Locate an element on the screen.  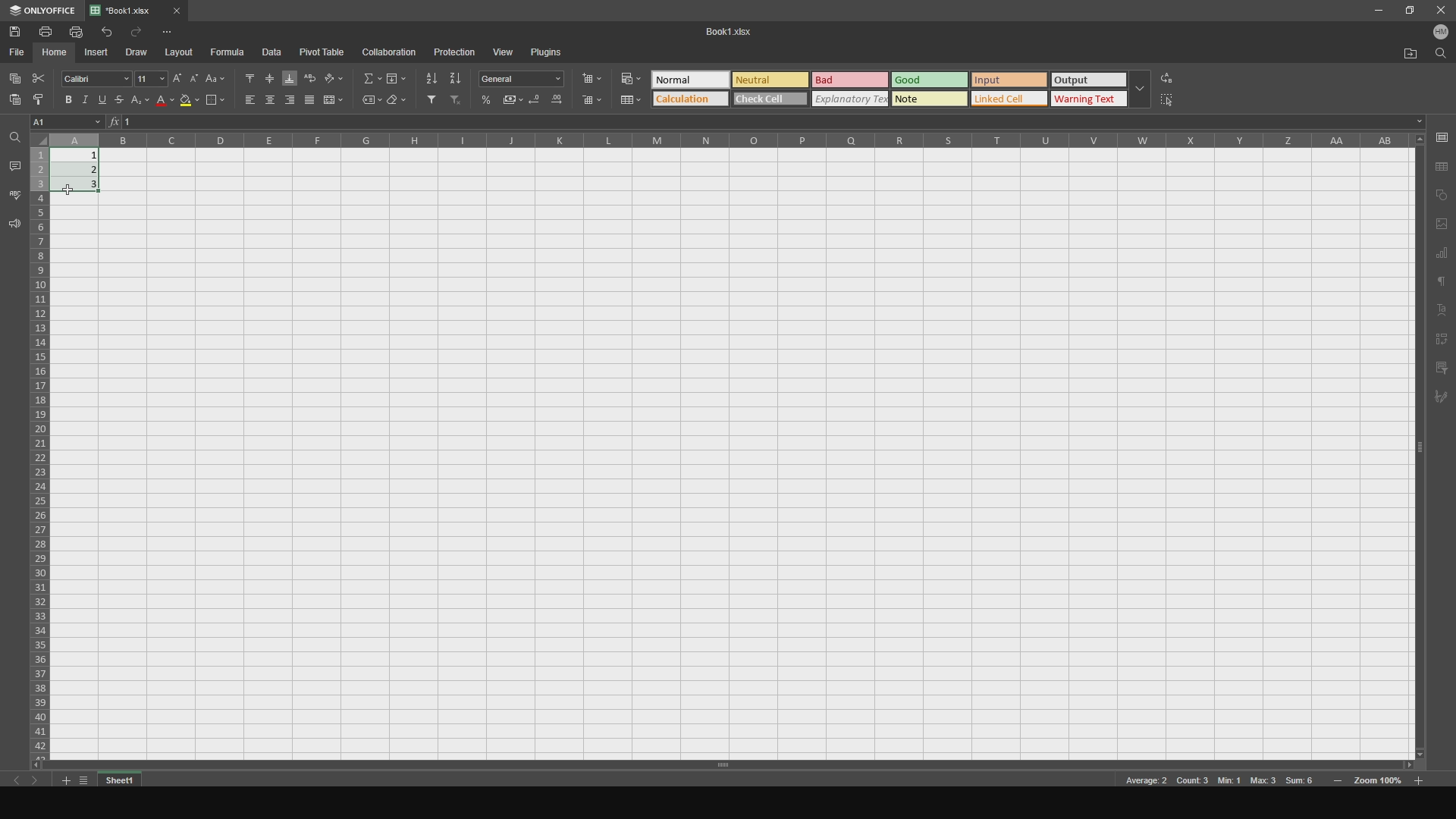
sort ascending is located at coordinates (428, 76).